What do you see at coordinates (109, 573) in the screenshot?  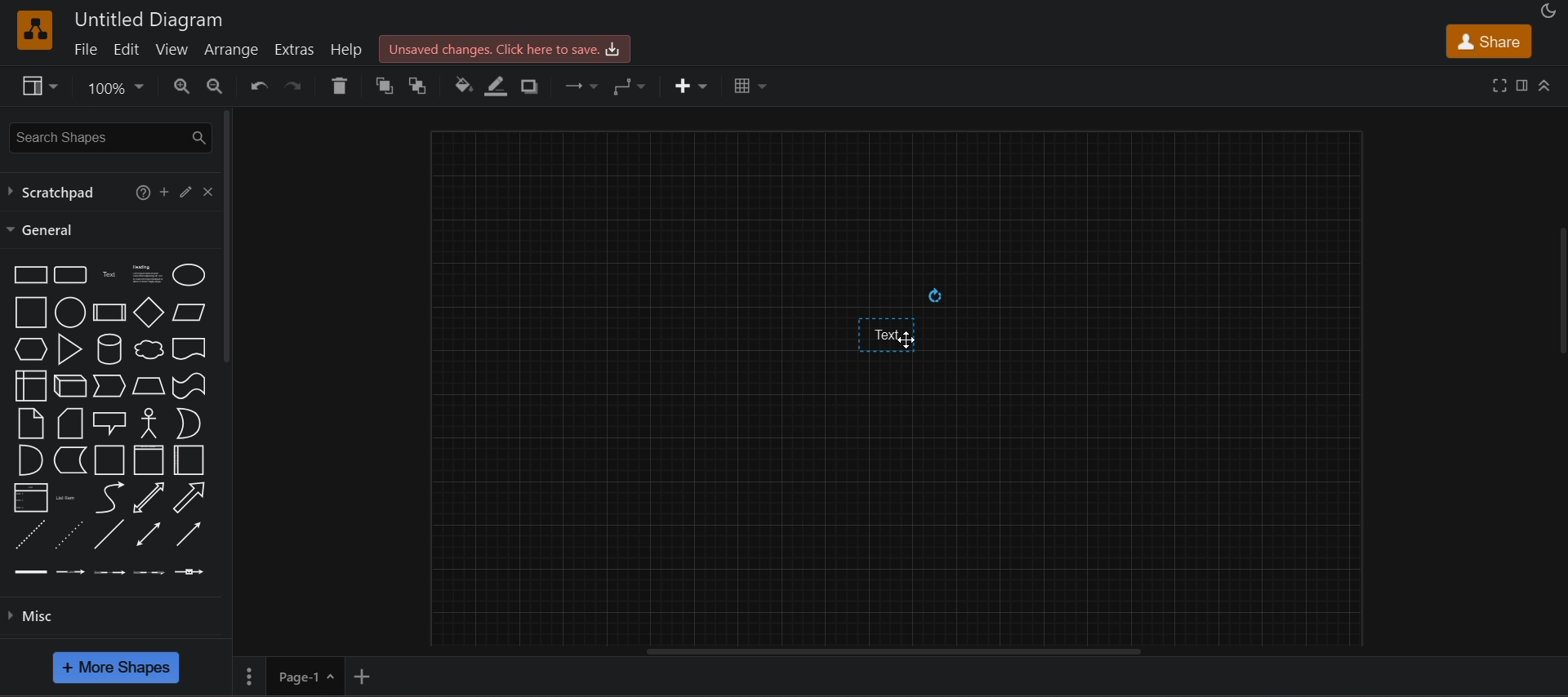 I see `Connector with 2 labels` at bounding box center [109, 573].